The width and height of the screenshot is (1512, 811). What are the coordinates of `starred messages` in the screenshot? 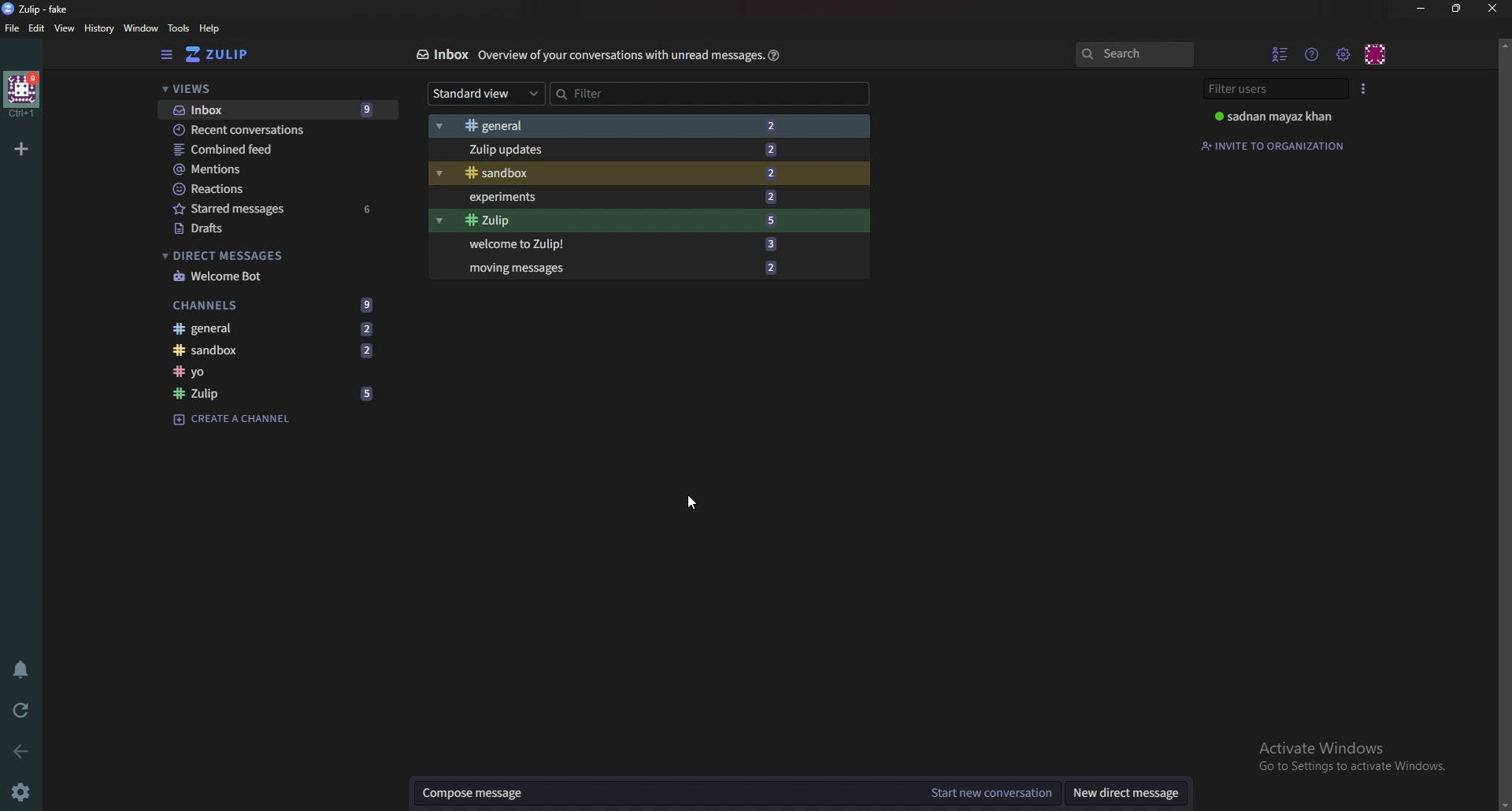 It's located at (274, 209).